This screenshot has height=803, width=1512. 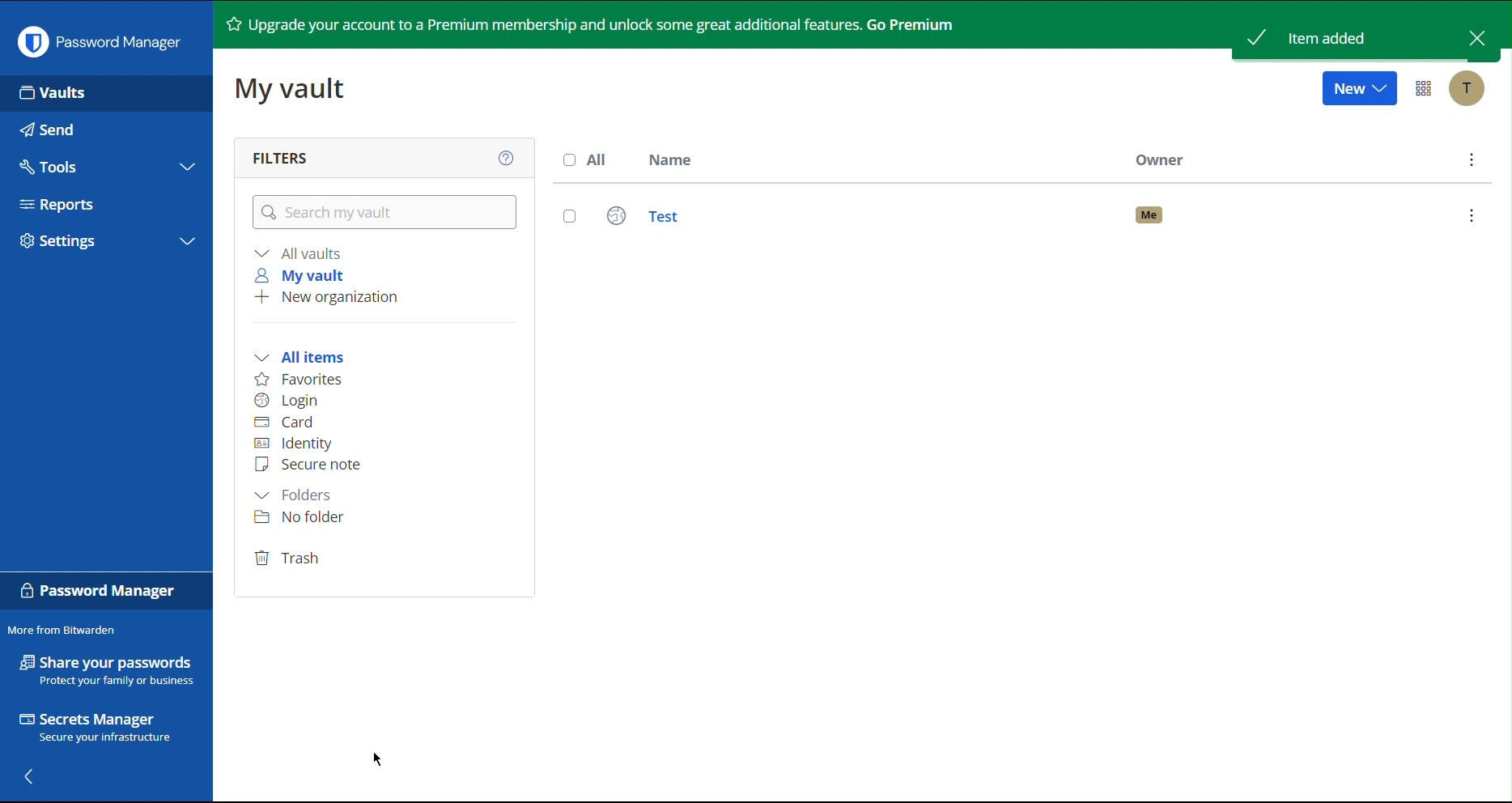 I want to click on Help, so click(x=505, y=155).